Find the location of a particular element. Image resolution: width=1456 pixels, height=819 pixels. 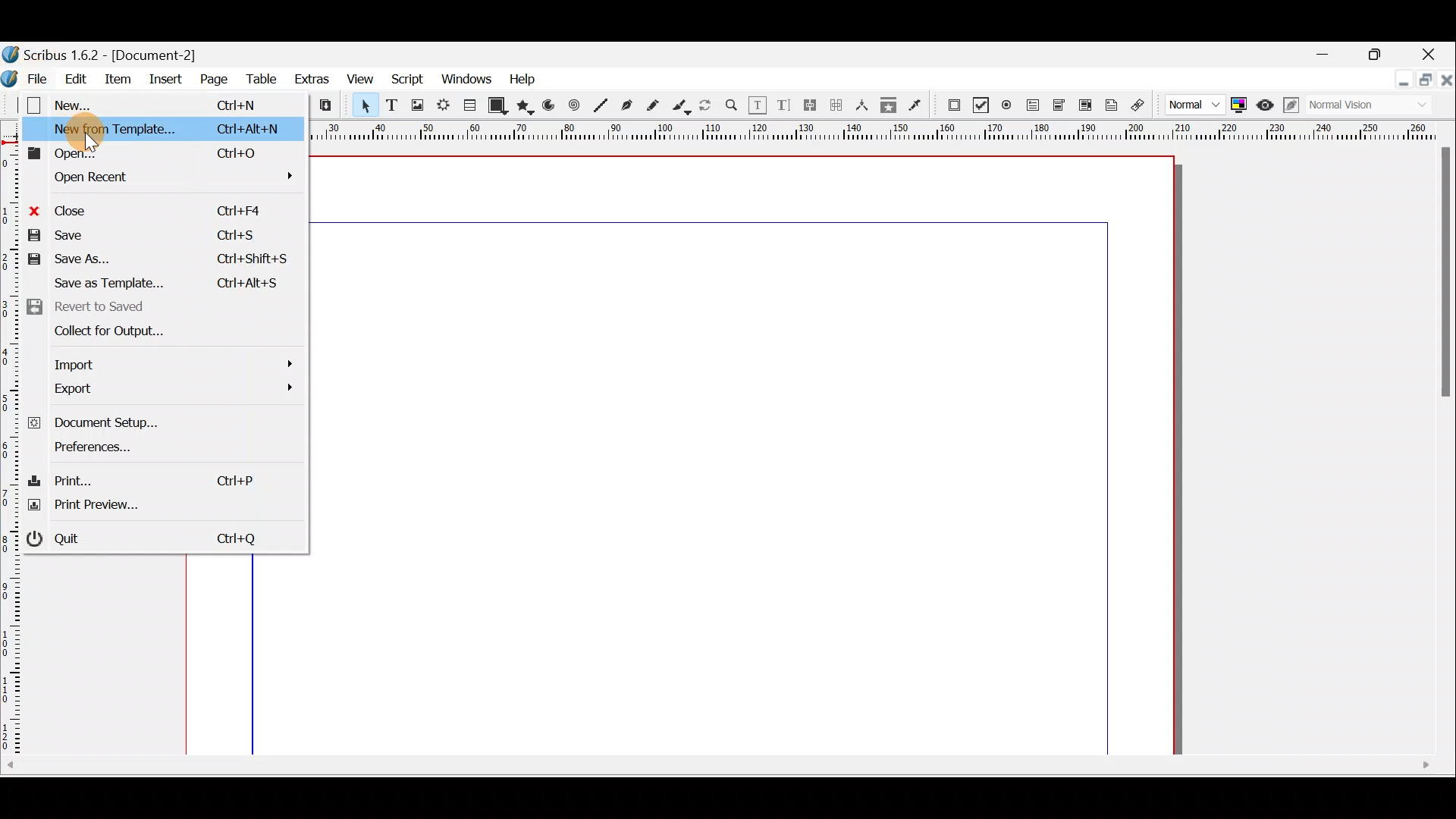

Help is located at coordinates (526, 79).